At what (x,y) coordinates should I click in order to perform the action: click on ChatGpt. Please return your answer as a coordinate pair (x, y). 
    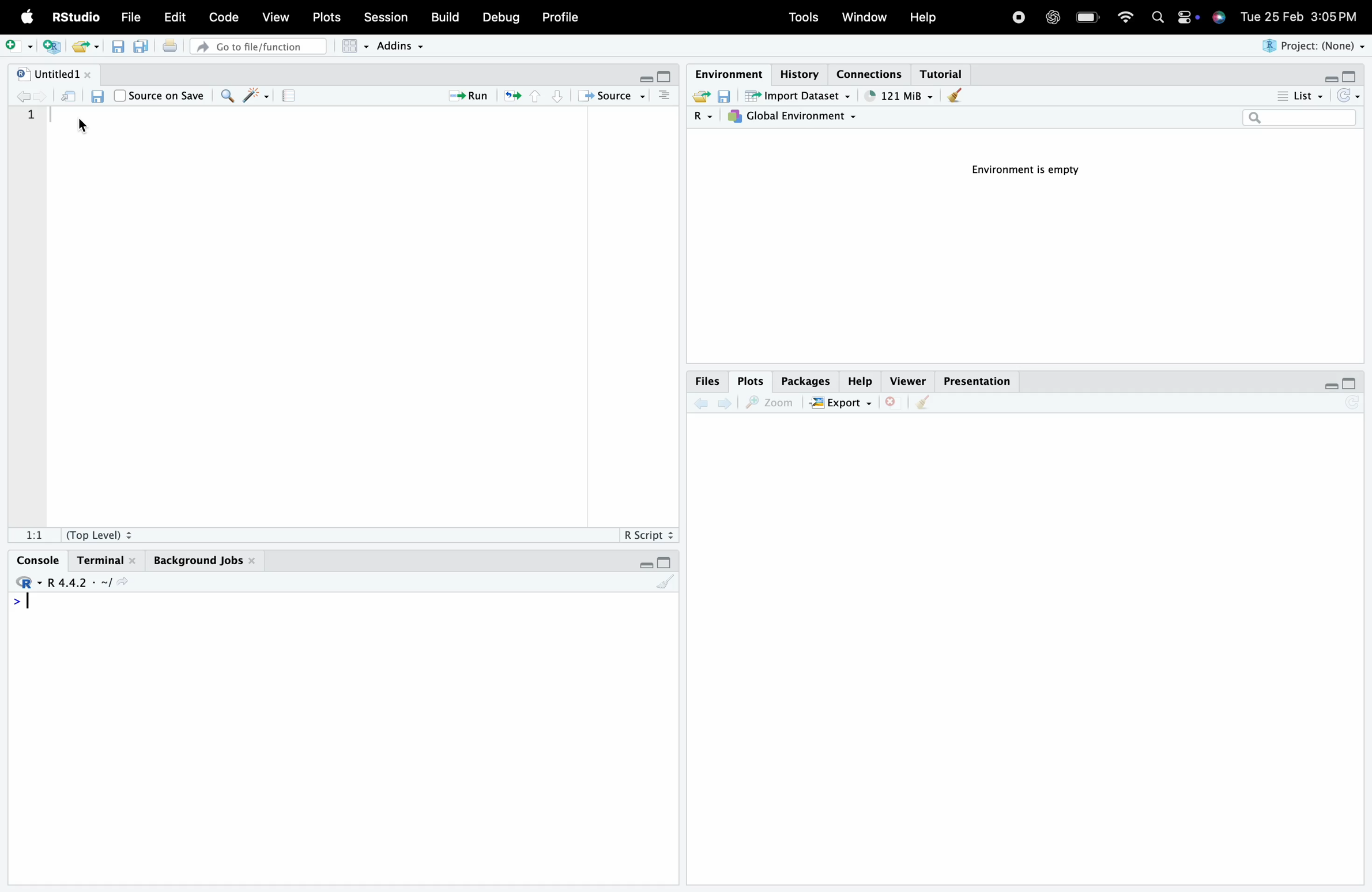
    Looking at the image, I should click on (1053, 15).